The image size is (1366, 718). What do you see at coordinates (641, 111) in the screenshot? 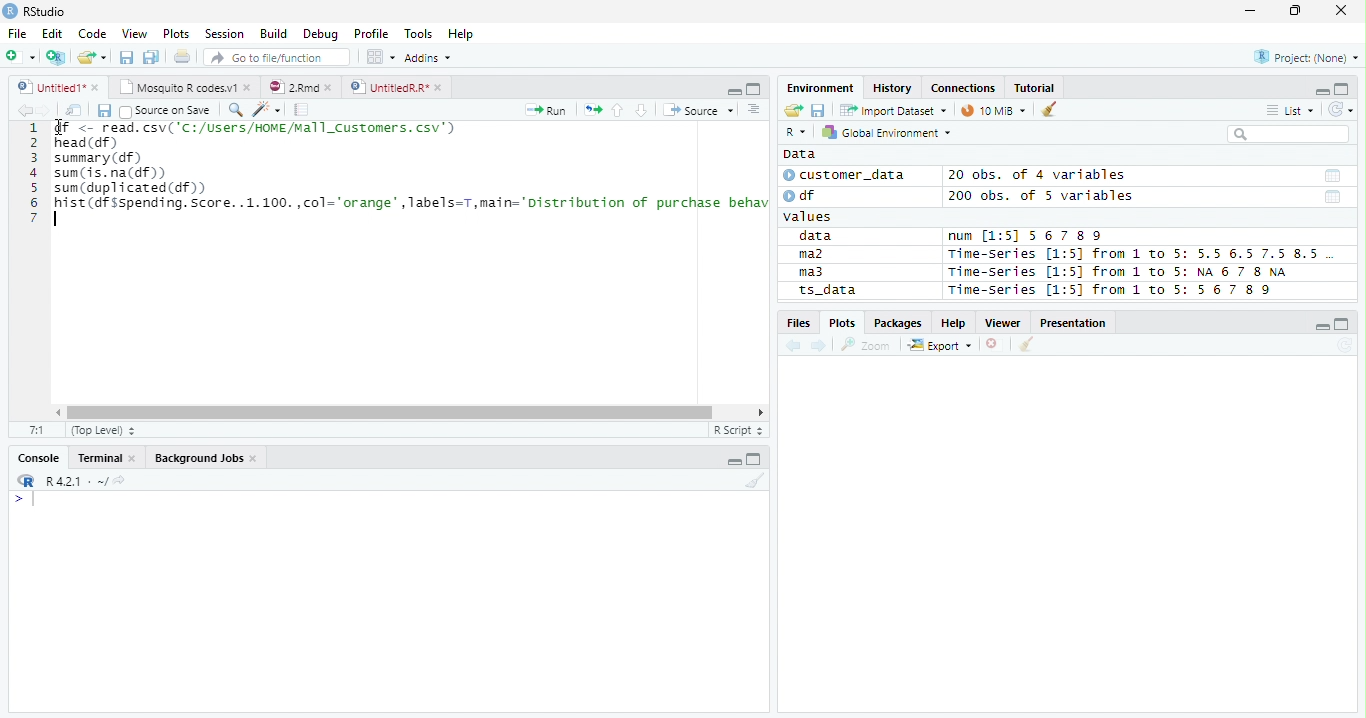
I see `Down` at bounding box center [641, 111].